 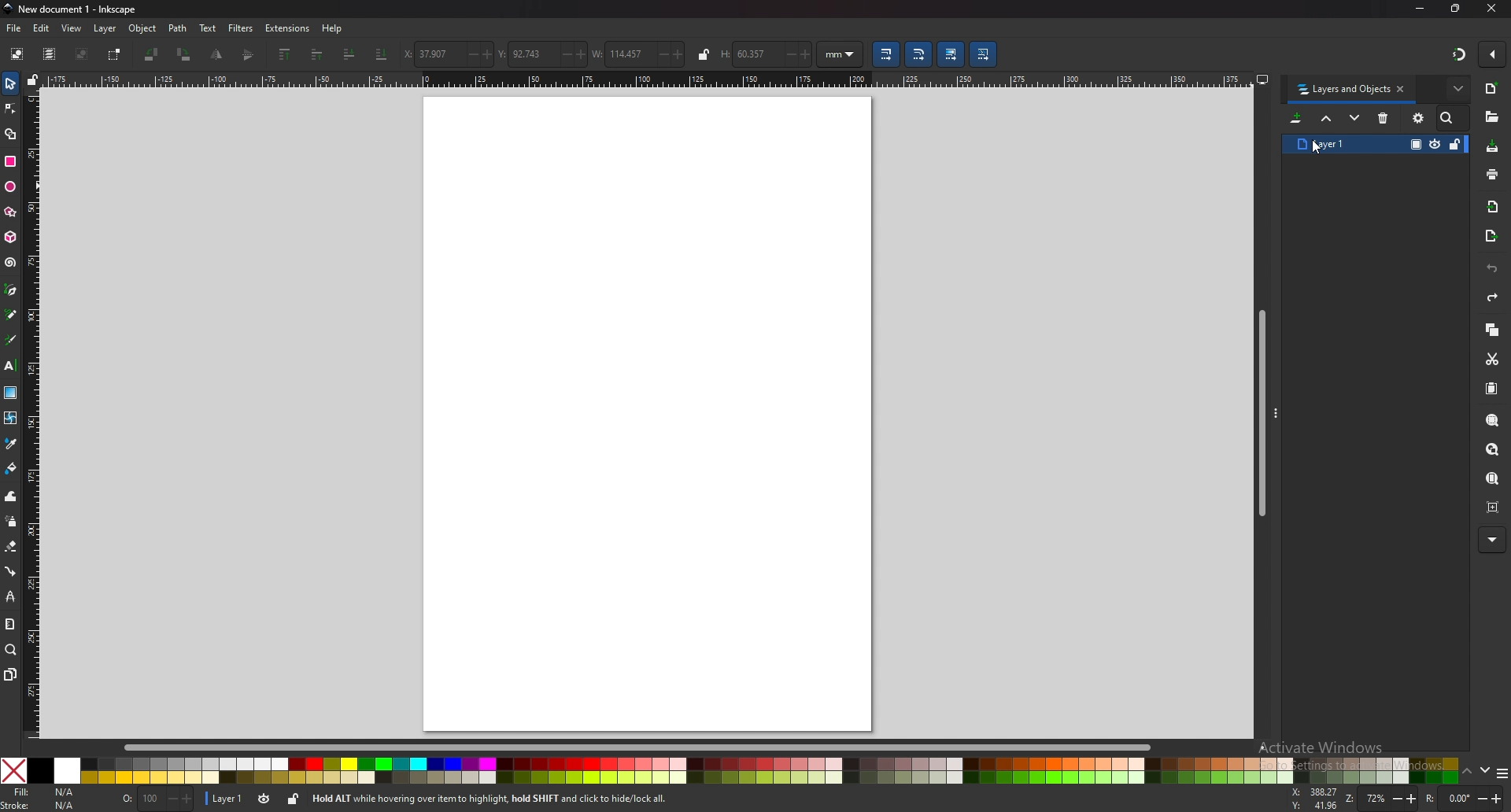 I want to click on zoom drawing, so click(x=1493, y=448).